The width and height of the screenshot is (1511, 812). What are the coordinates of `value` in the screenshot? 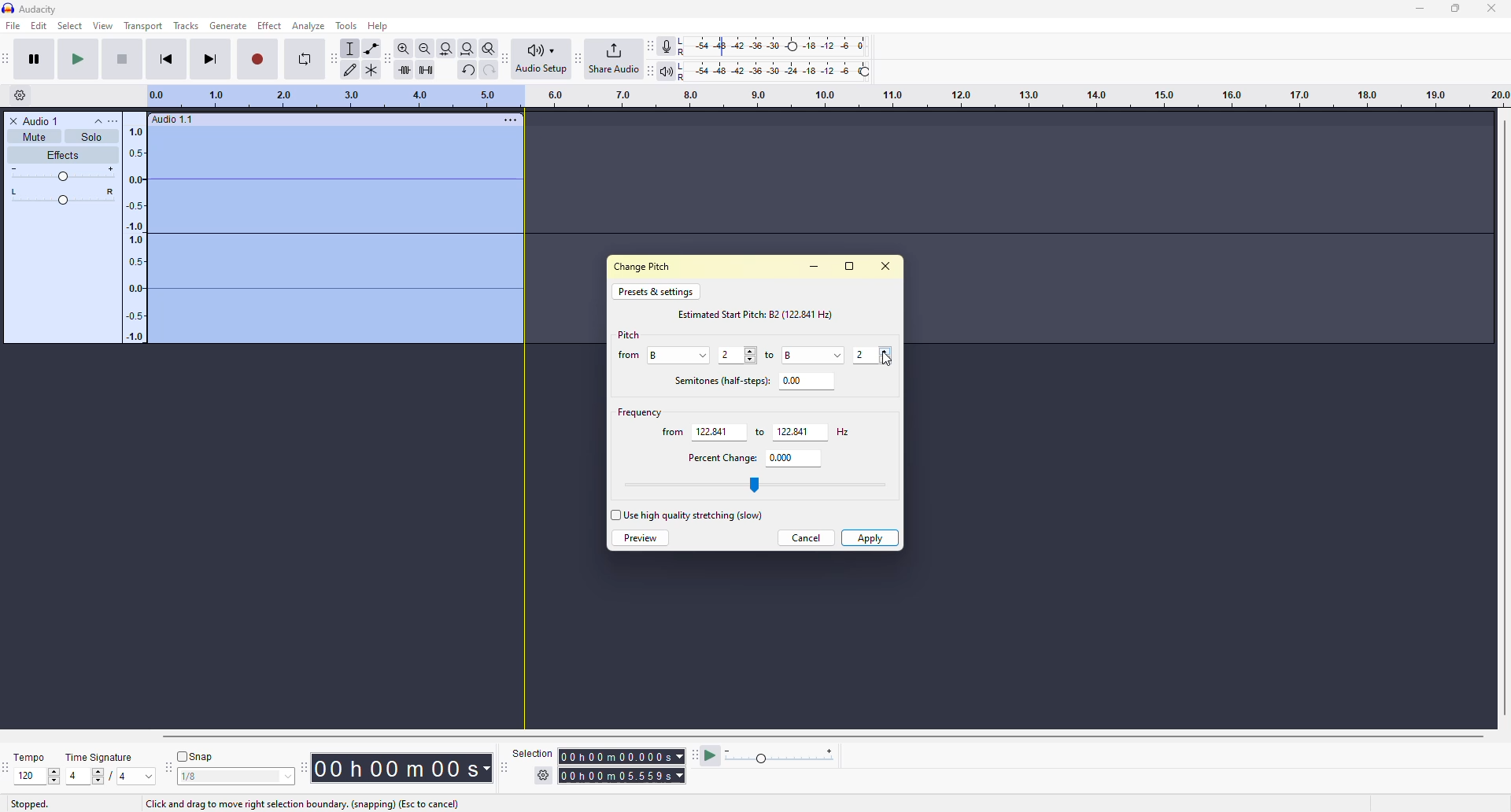 It's located at (793, 379).